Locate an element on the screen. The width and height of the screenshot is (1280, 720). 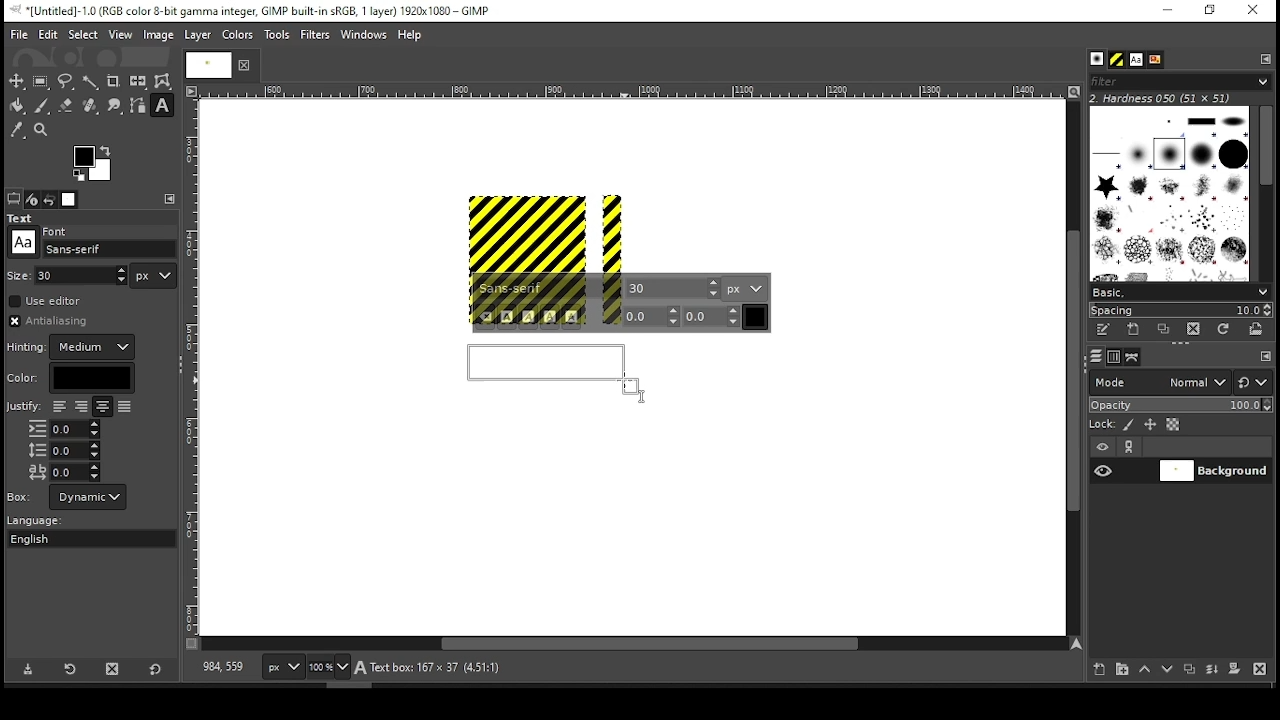
new layer group   is located at coordinates (1121, 669).